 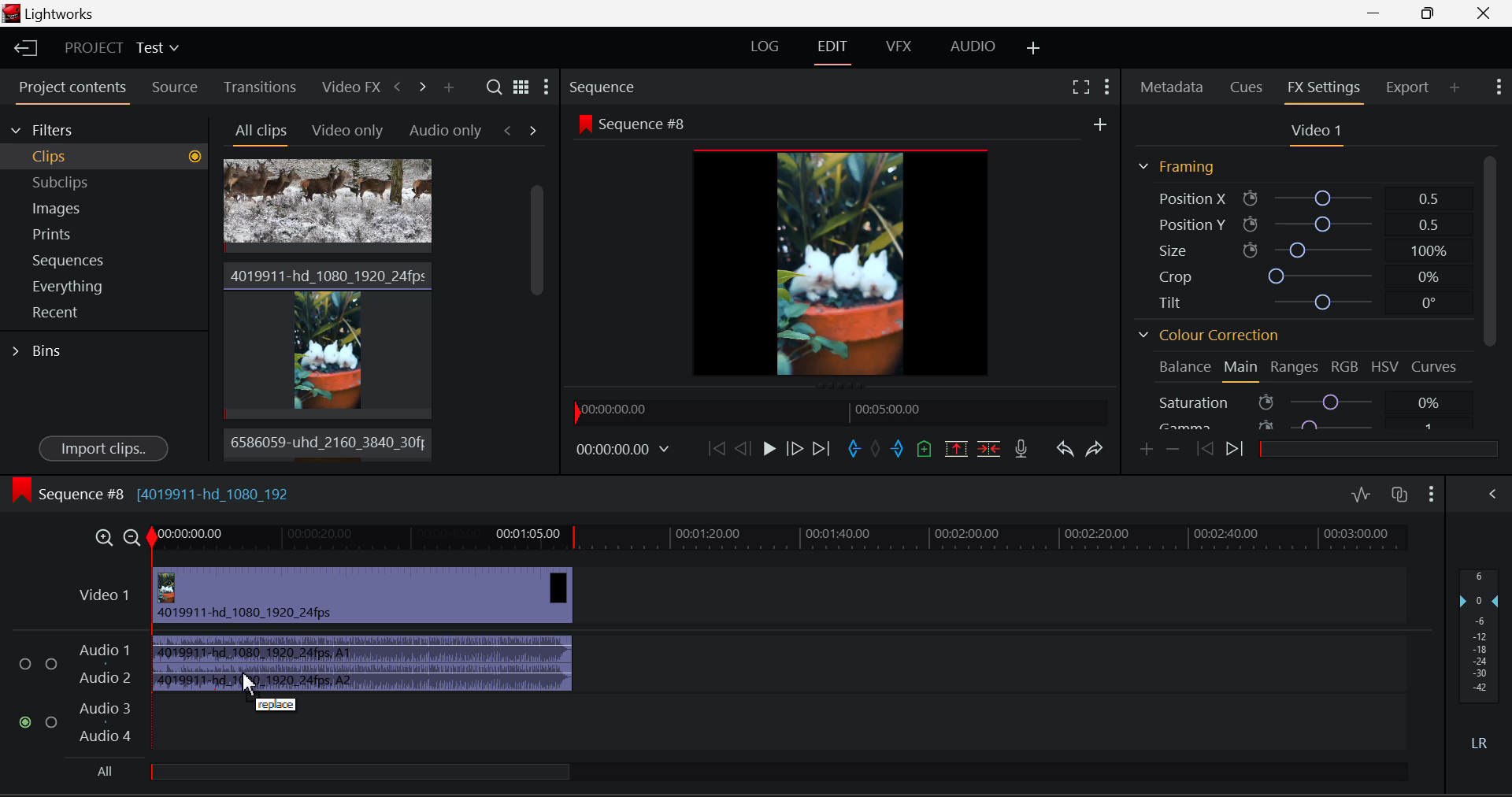 I want to click on Play, so click(x=769, y=450).